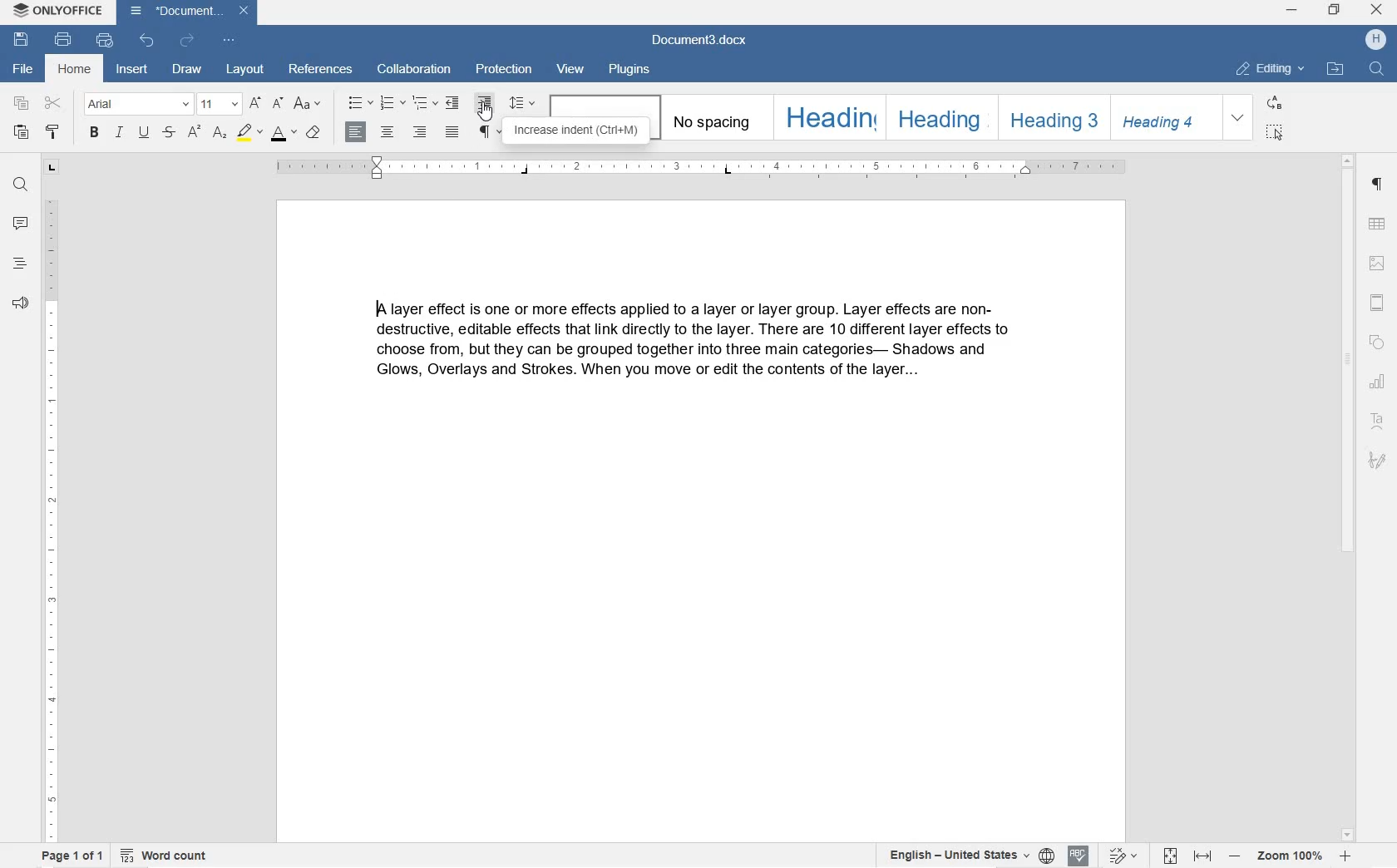 The width and height of the screenshot is (1397, 868). Describe the element at coordinates (1240, 118) in the screenshot. I see `EXPAND FORMATTING STYLE` at that location.